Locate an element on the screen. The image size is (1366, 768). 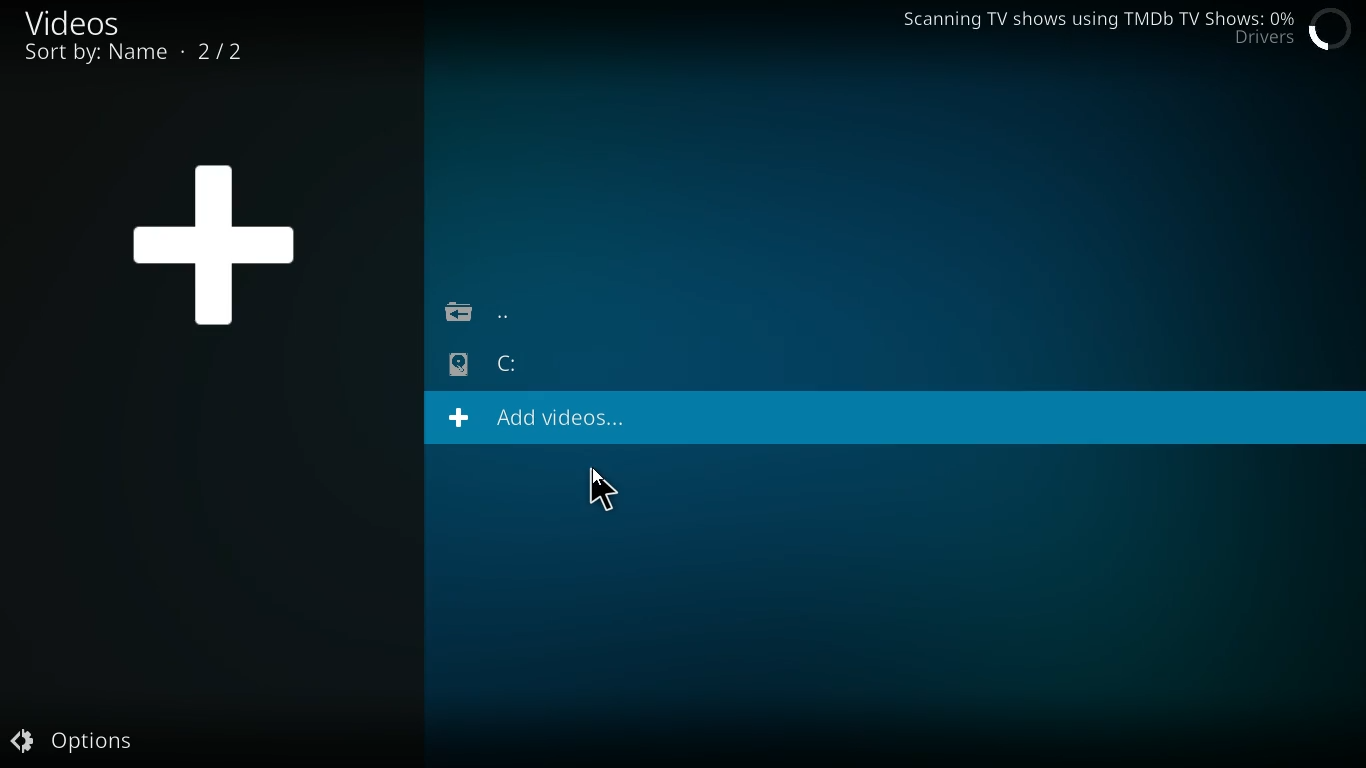
Cursor is located at coordinates (603, 489).